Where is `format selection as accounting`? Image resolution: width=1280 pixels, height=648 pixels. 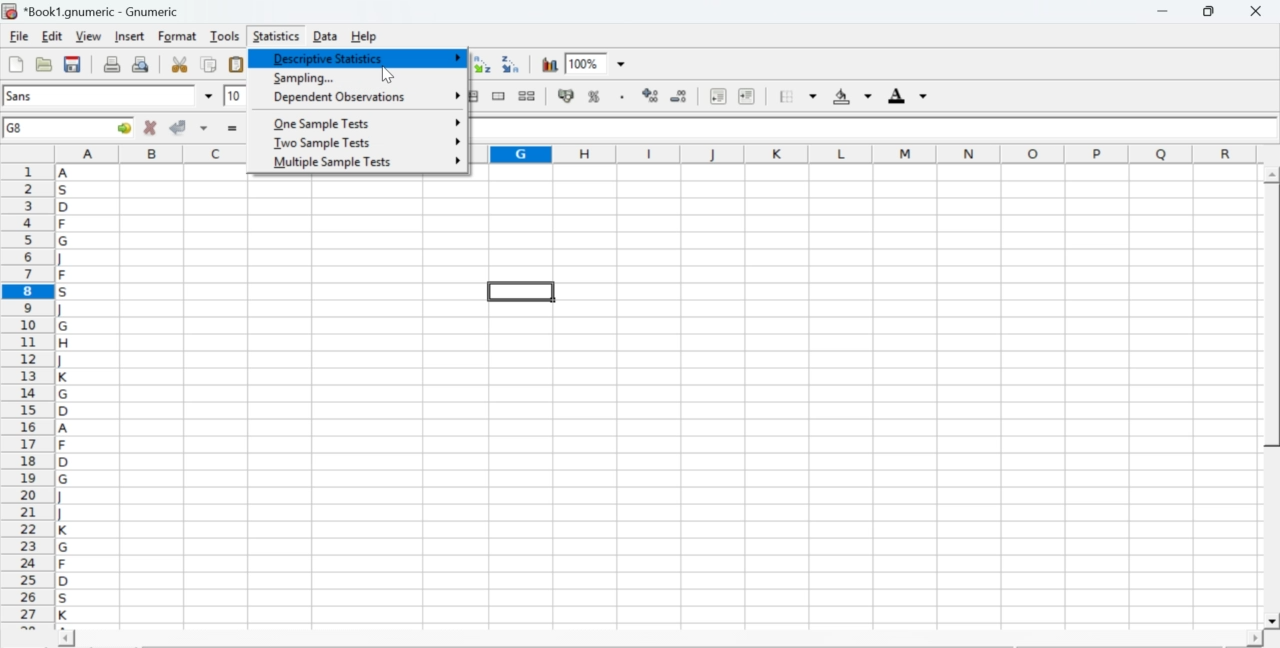
format selection as accounting is located at coordinates (566, 95).